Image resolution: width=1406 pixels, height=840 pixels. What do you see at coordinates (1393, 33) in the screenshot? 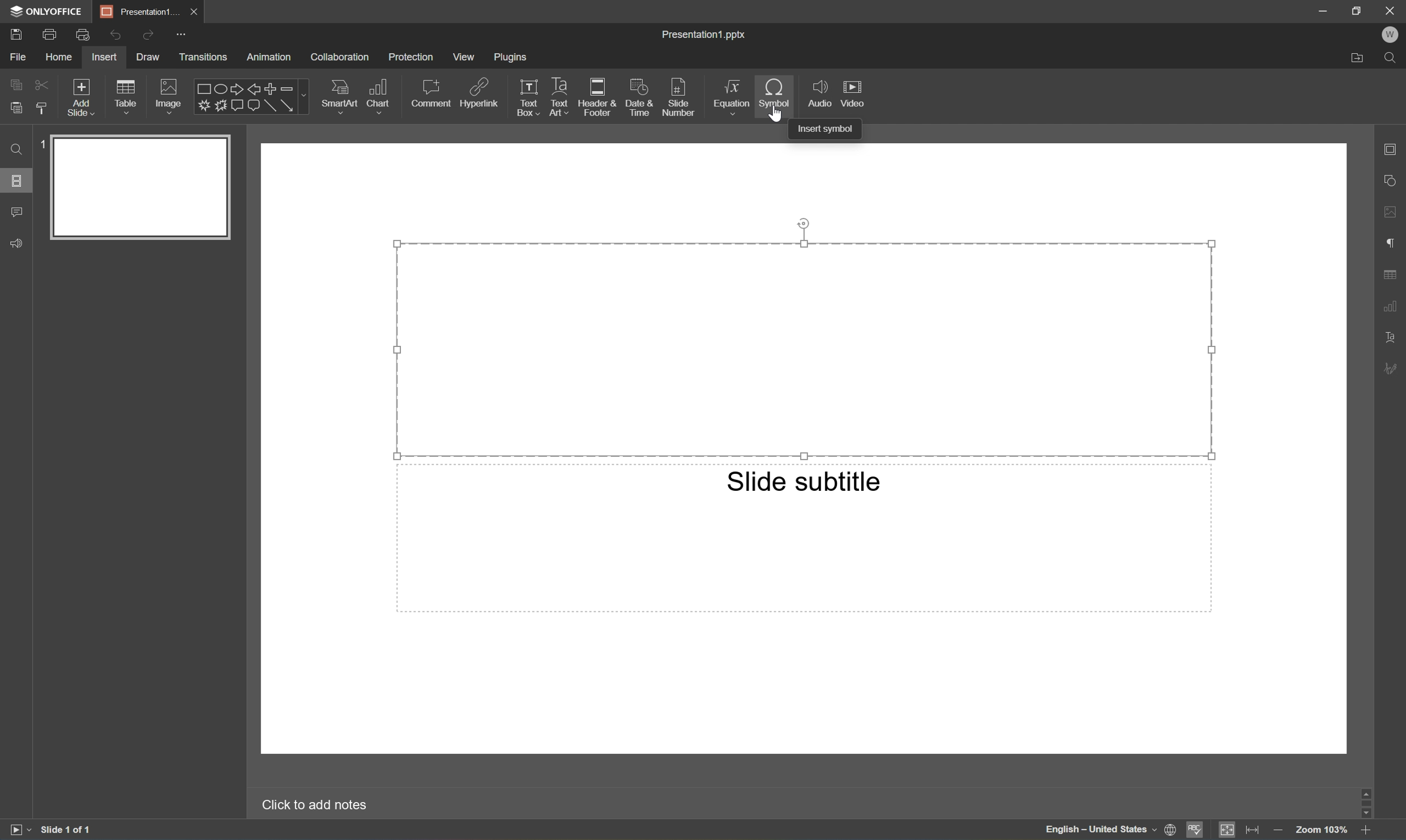
I see `W` at bounding box center [1393, 33].